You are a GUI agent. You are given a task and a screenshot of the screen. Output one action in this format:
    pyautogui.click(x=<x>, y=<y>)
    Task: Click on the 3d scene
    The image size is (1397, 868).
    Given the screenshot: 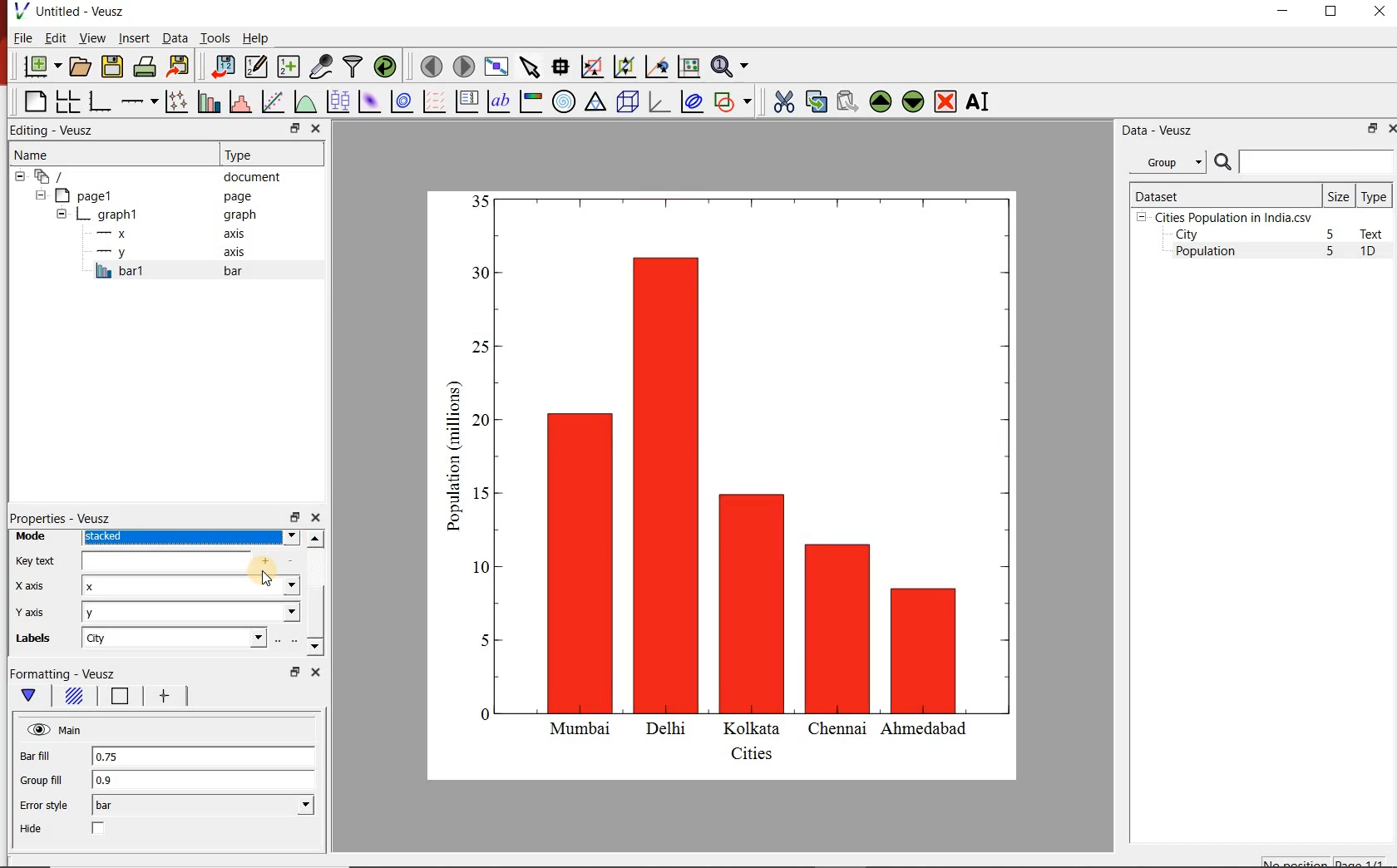 What is the action you would take?
    pyautogui.click(x=626, y=101)
    